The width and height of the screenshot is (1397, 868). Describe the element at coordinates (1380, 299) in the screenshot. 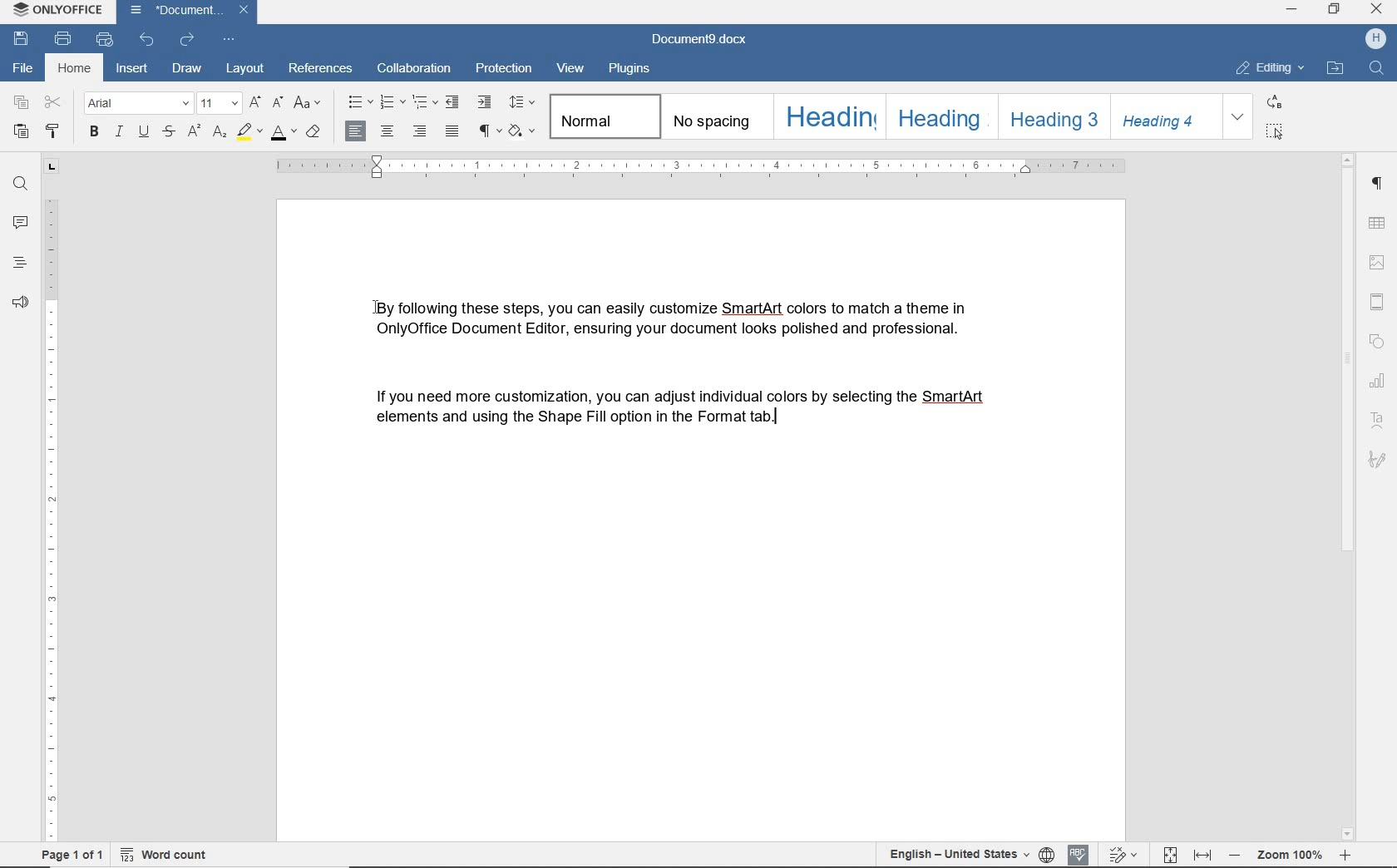

I see `header & footer` at that location.